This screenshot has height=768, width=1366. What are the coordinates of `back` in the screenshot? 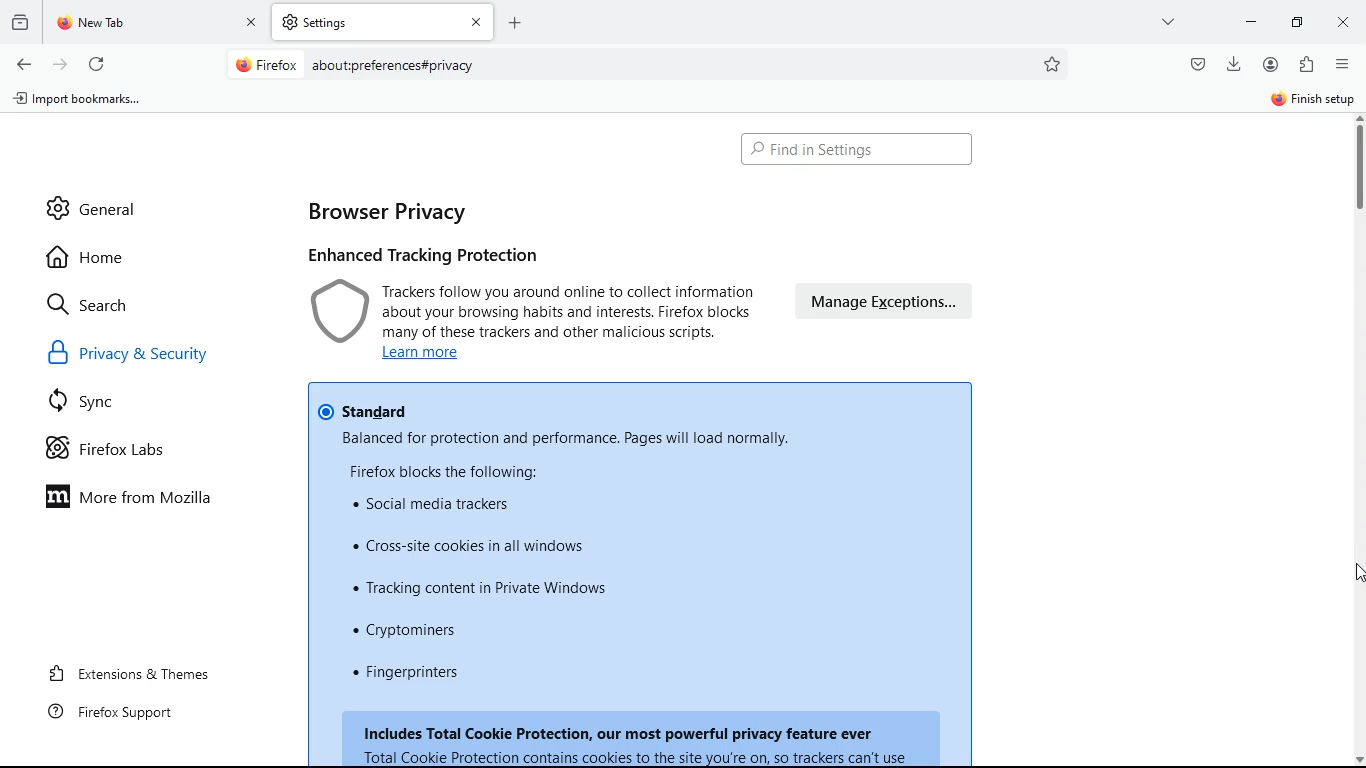 It's located at (22, 65).